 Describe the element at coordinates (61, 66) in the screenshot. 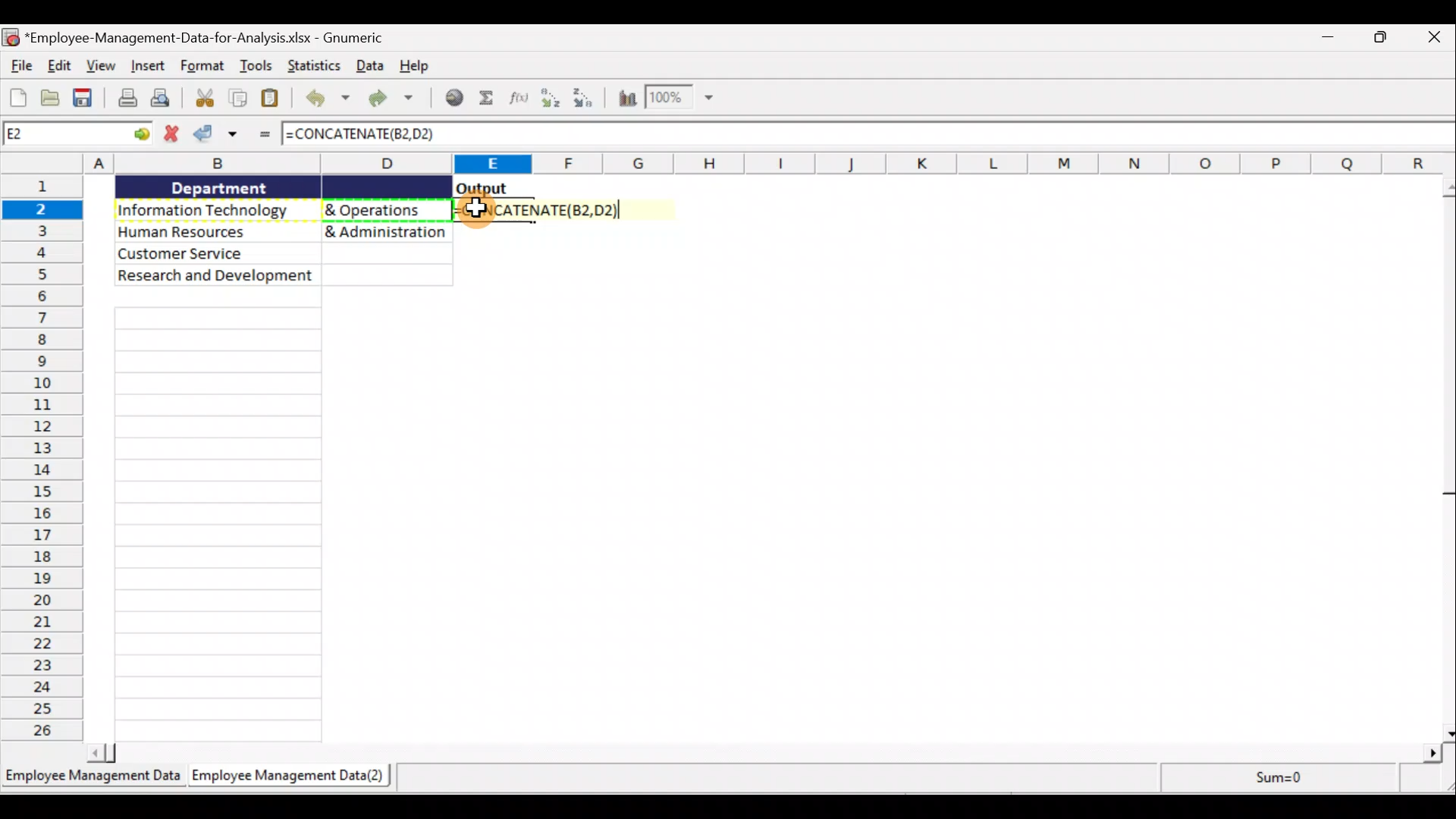

I see `Edit` at that location.